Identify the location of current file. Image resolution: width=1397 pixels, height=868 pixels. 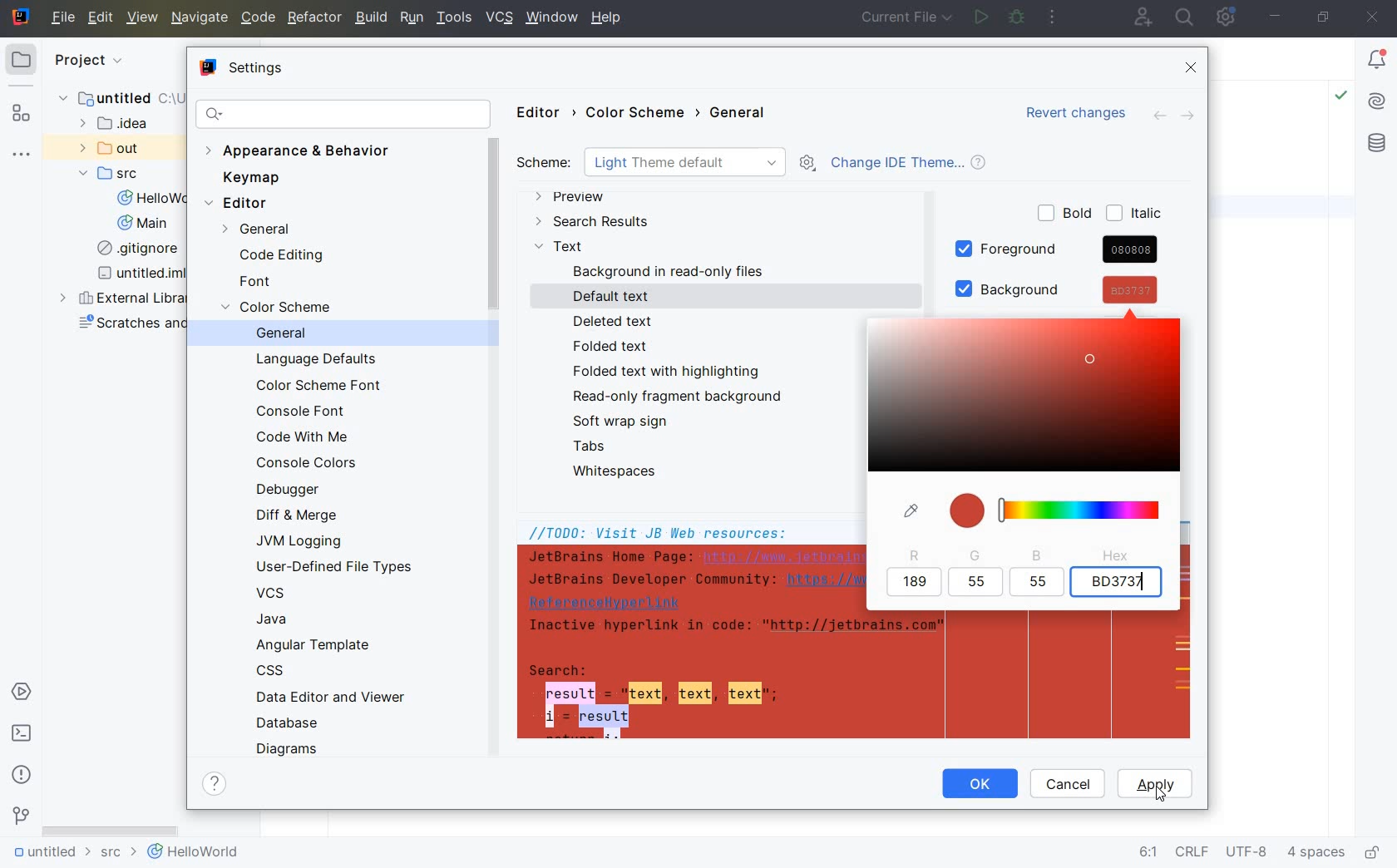
(908, 18).